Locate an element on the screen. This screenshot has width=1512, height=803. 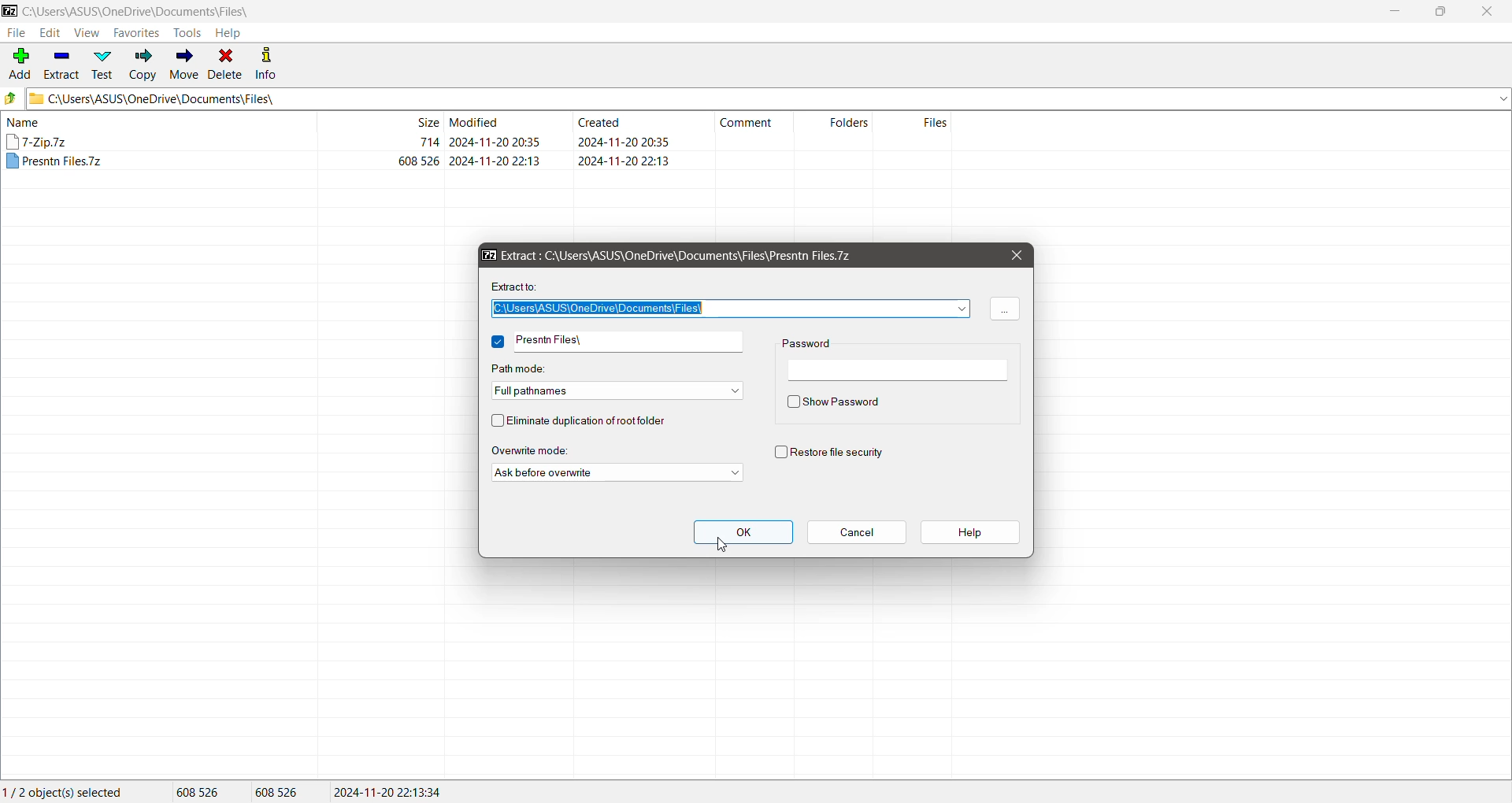
file is located at coordinates (55, 161).